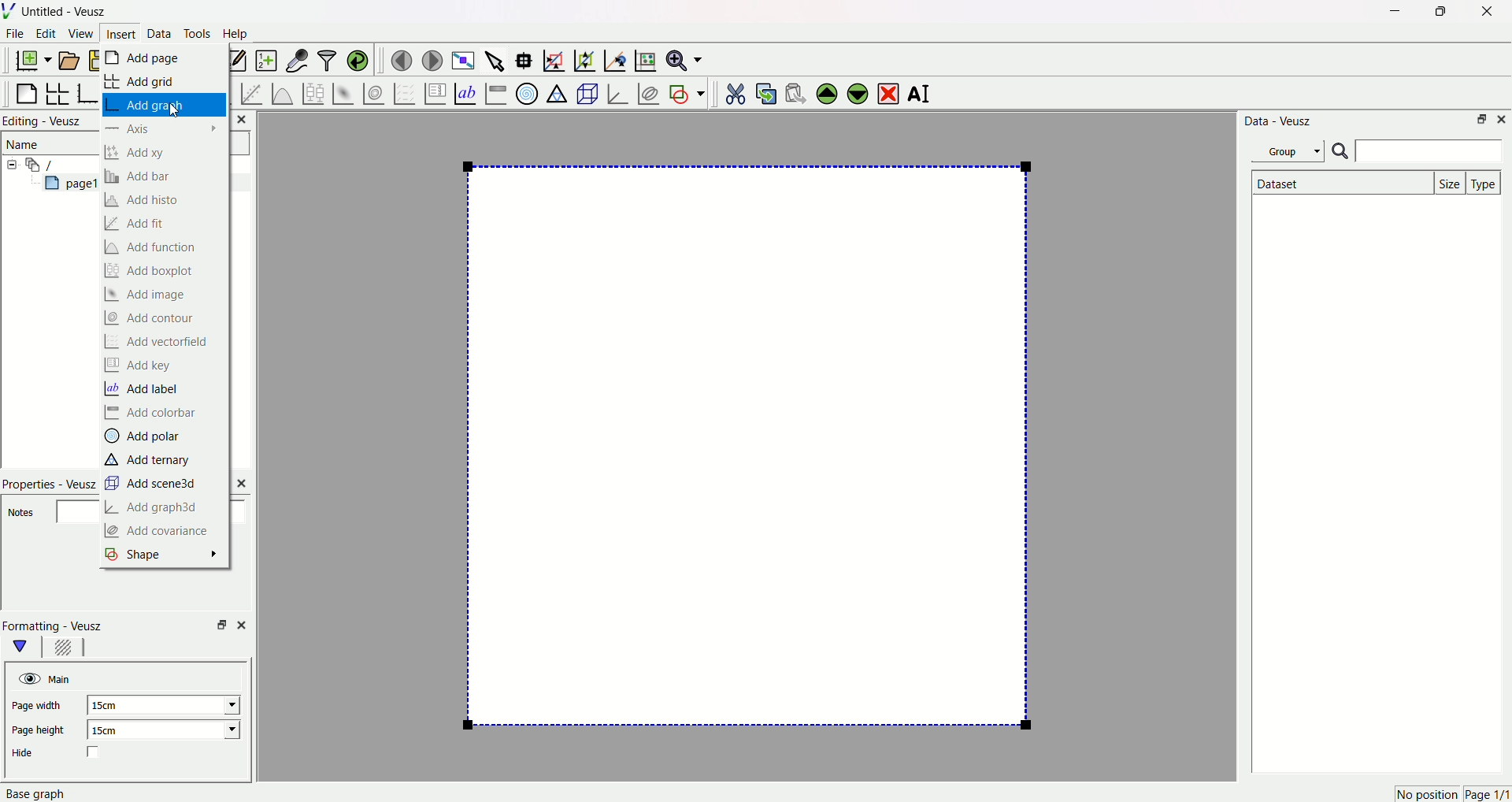 The width and height of the screenshot is (1512, 802). I want to click on plot key, so click(434, 91).